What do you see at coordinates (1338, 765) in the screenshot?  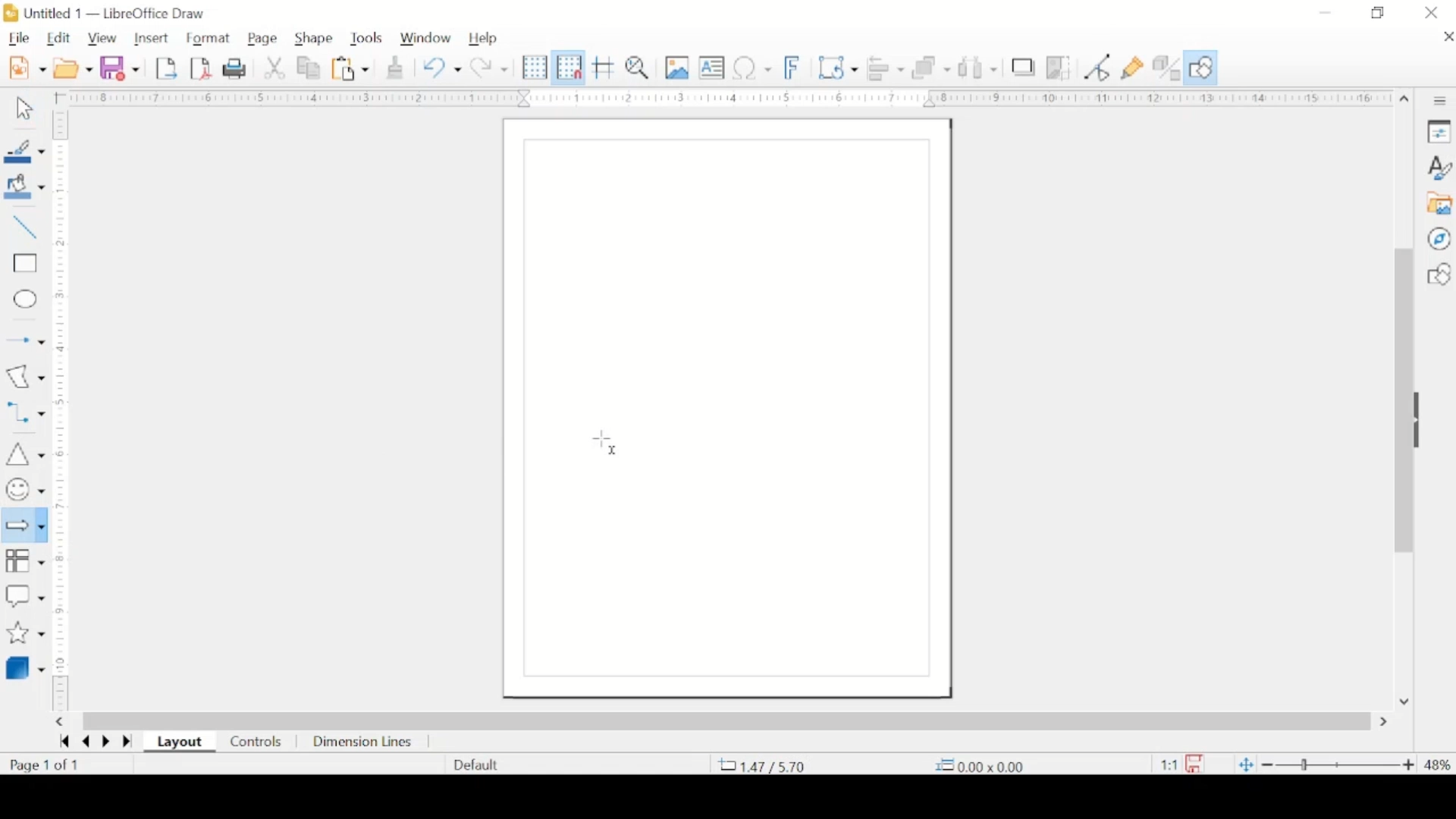 I see `zoom slider` at bounding box center [1338, 765].